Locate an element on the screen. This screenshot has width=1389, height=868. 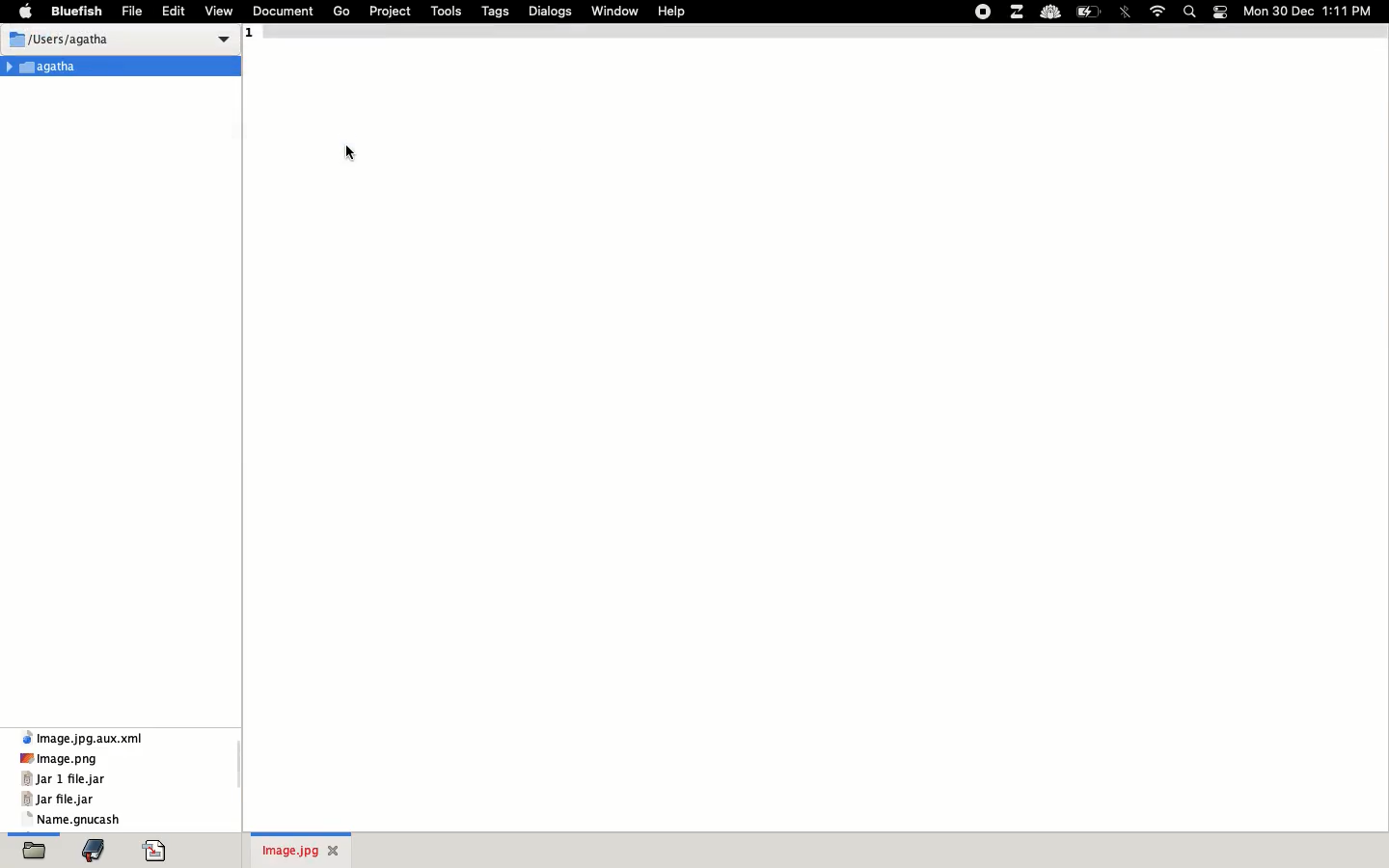
Agatha is located at coordinates (46, 66).